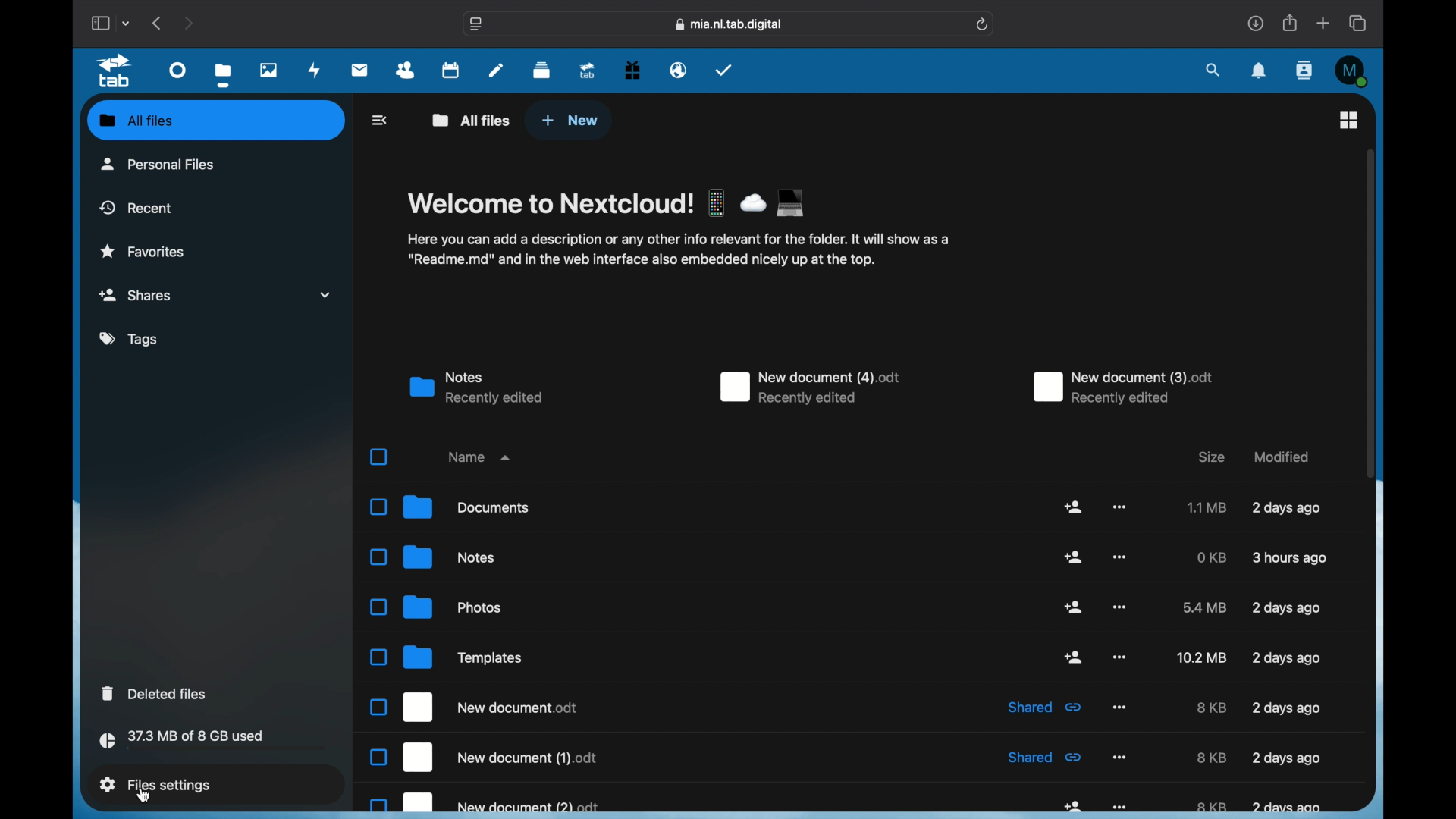 This screenshot has height=819, width=1456. What do you see at coordinates (809, 388) in the screenshot?
I see `new document` at bounding box center [809, 388].